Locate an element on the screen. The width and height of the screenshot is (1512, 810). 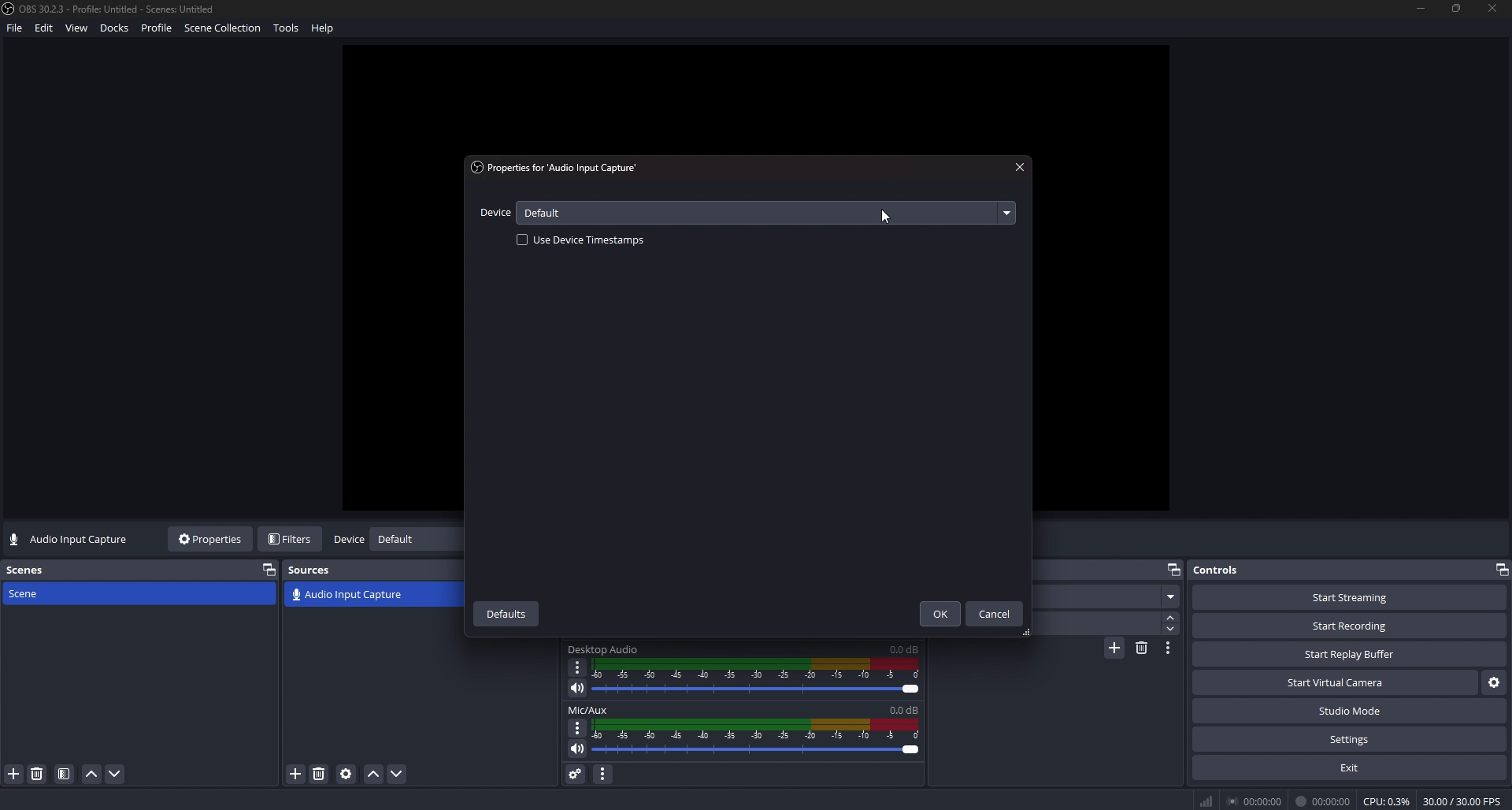
0 CPU: 0.69 is located at coordinates (1384, 798).